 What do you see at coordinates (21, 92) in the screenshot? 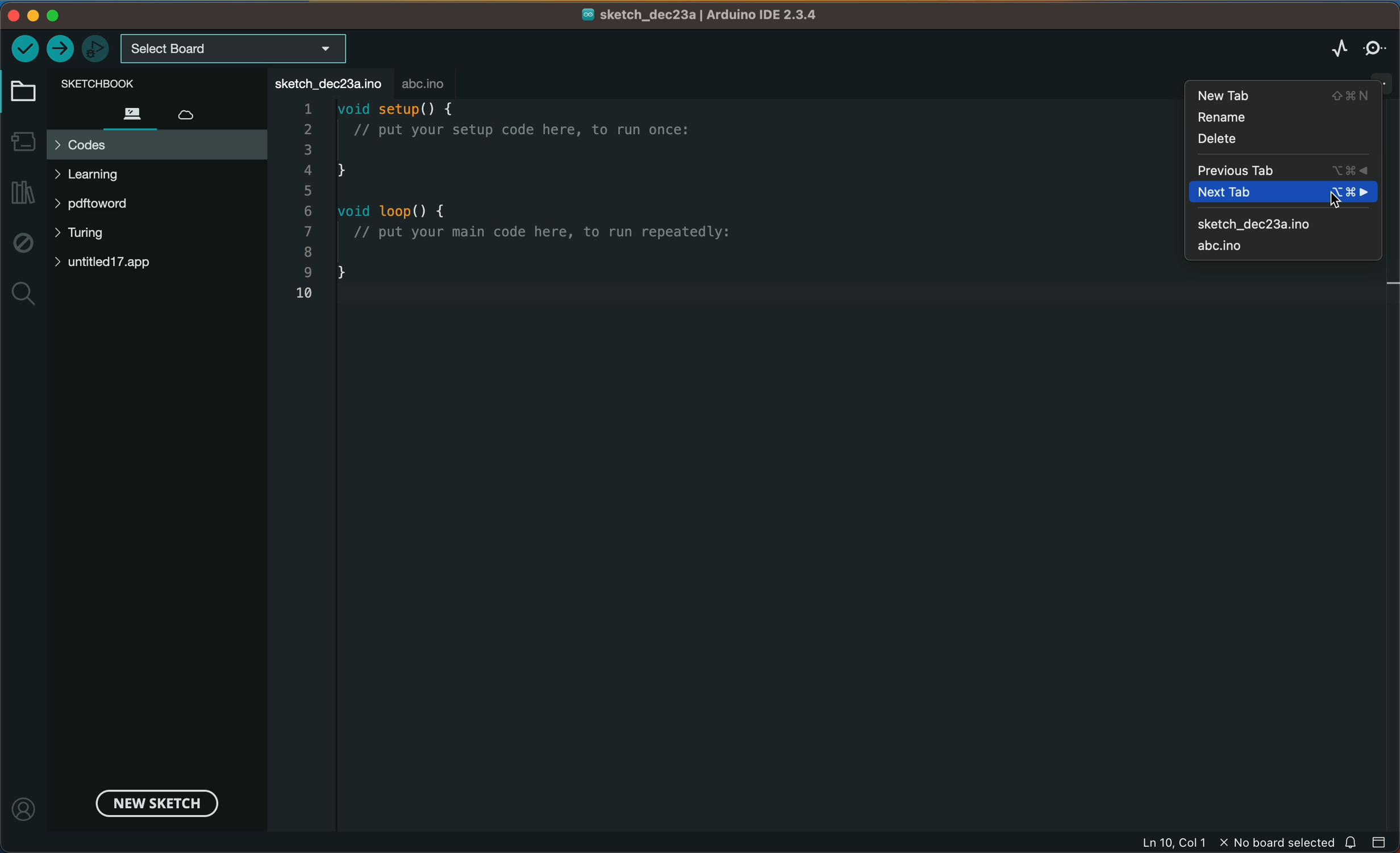
I see `folder` at bounding box center [21, 92].